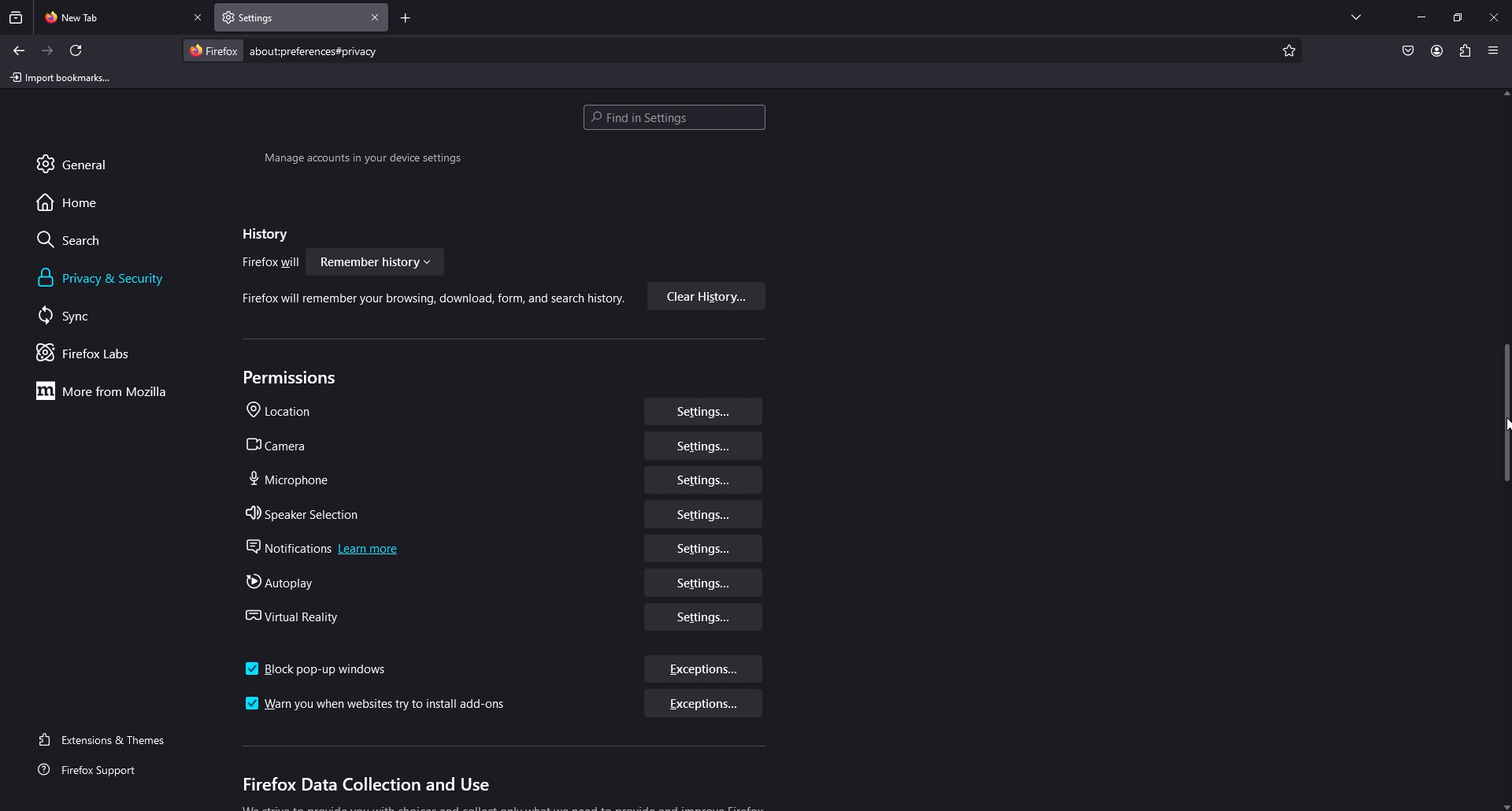 The image size is (1512, 811). I want to click on list all tabs, so click(1356, 14).